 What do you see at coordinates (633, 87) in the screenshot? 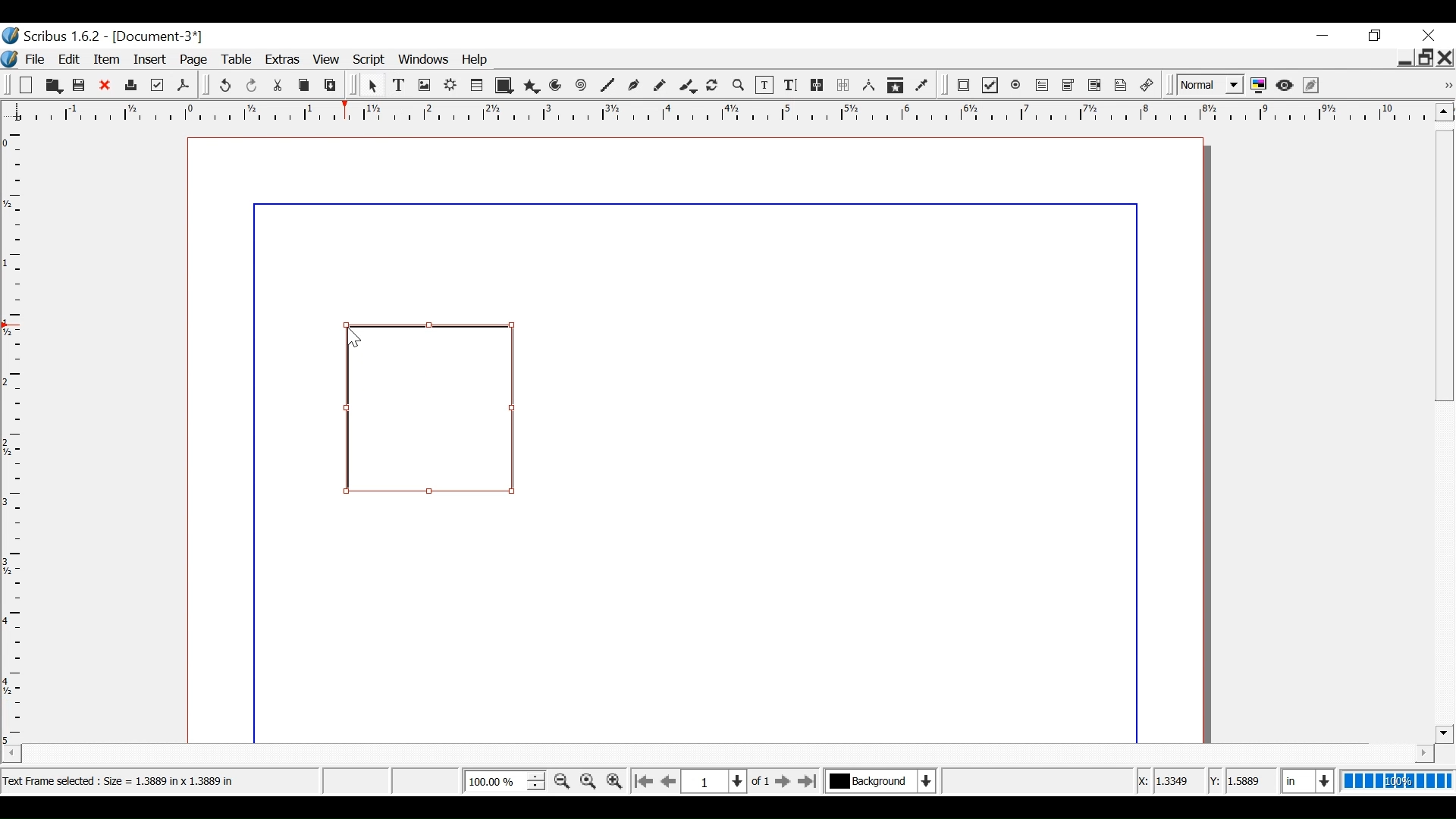
I see `Bezier curve` at bounding box center [633, 87].